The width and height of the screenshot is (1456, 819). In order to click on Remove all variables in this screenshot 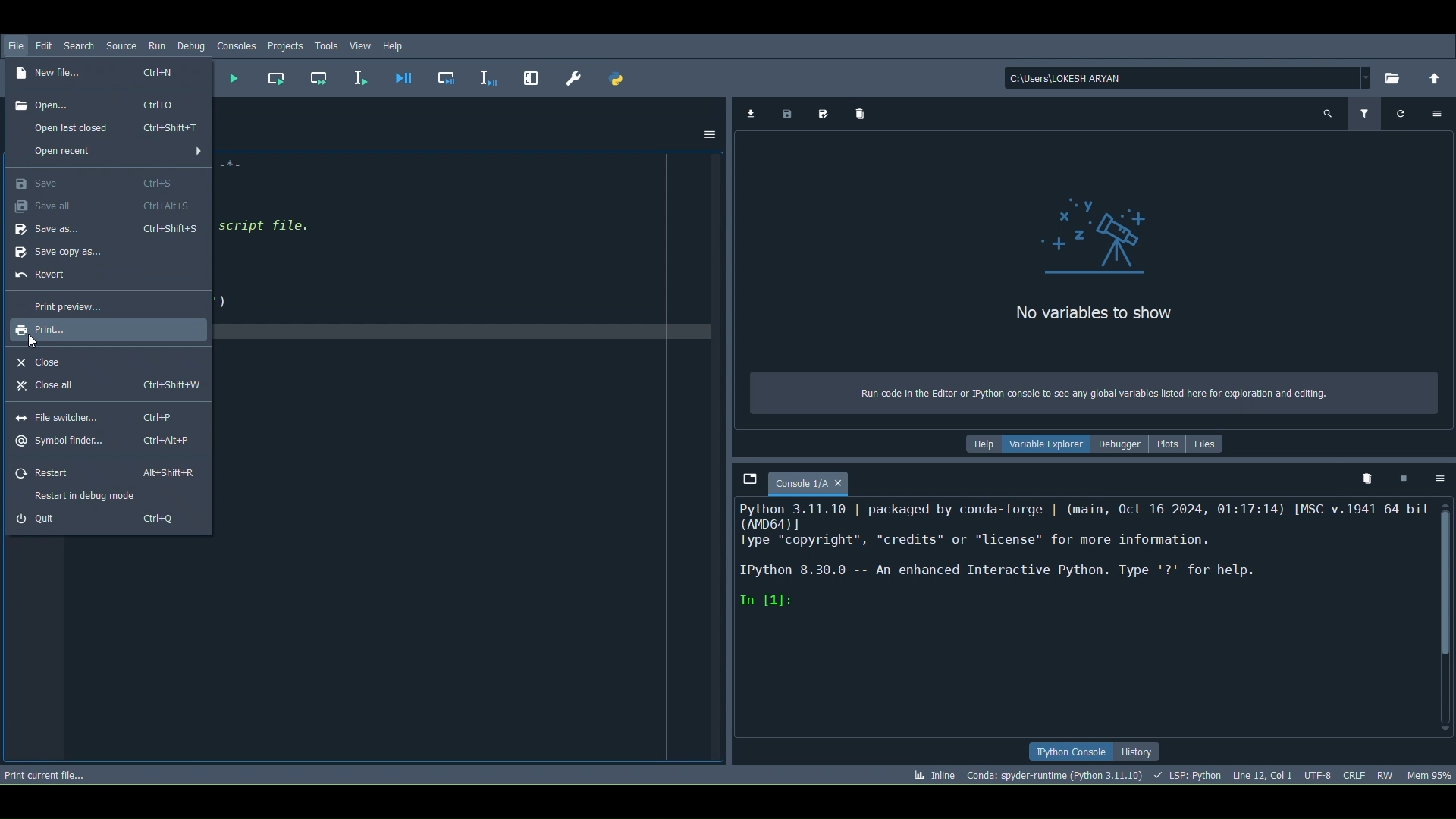, I will do `click(865, 115)`.